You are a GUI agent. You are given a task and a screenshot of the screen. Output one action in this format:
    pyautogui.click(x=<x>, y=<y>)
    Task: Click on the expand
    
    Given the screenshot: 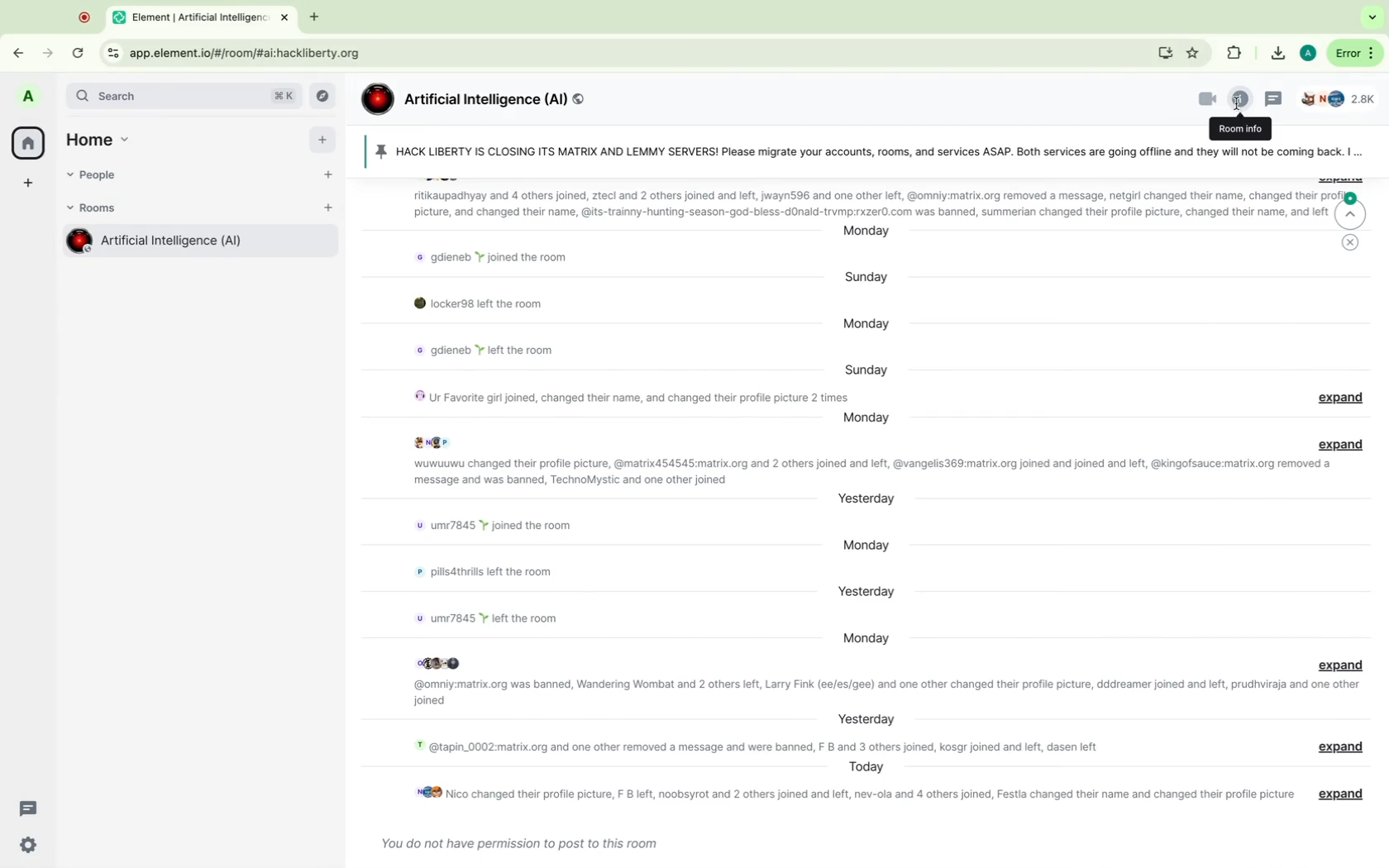 What is the action you would take?
    pyautogui.click(x=1341, y=790)
    